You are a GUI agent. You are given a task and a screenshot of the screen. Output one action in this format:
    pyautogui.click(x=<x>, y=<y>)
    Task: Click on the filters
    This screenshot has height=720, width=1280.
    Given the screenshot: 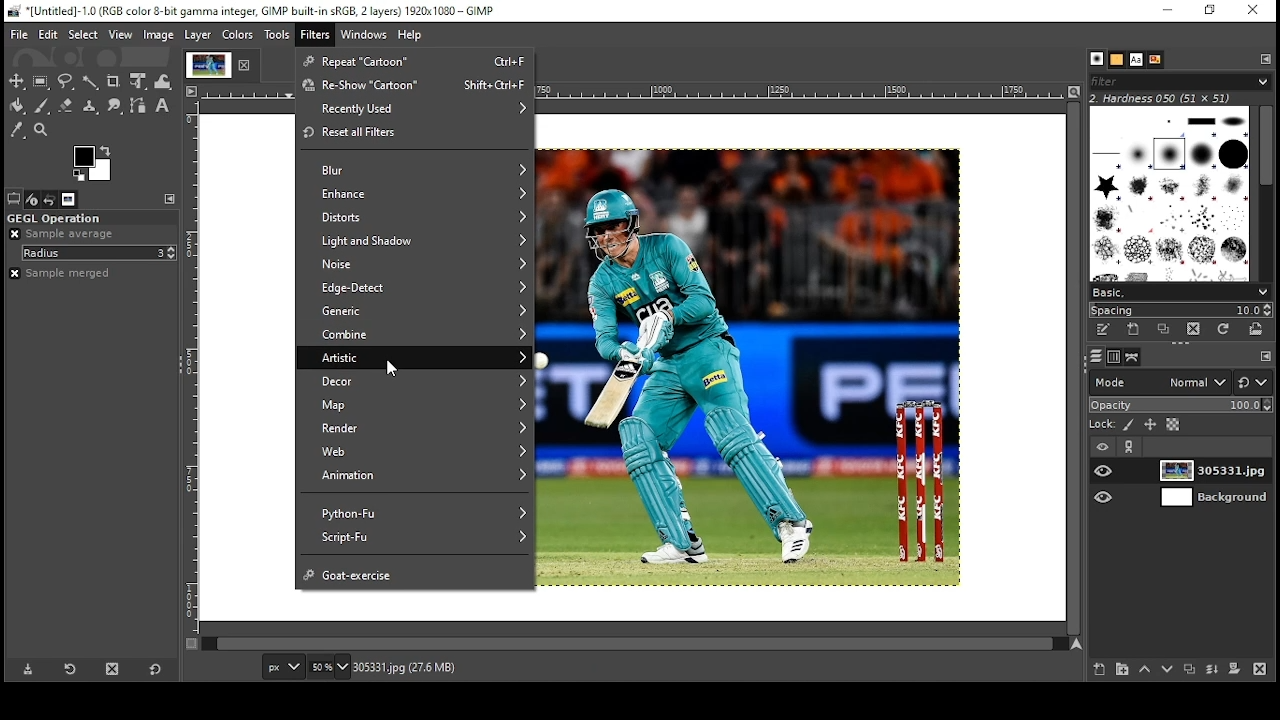 What is the action you would take?
    pyautogui.click(x=315, y=35)
    